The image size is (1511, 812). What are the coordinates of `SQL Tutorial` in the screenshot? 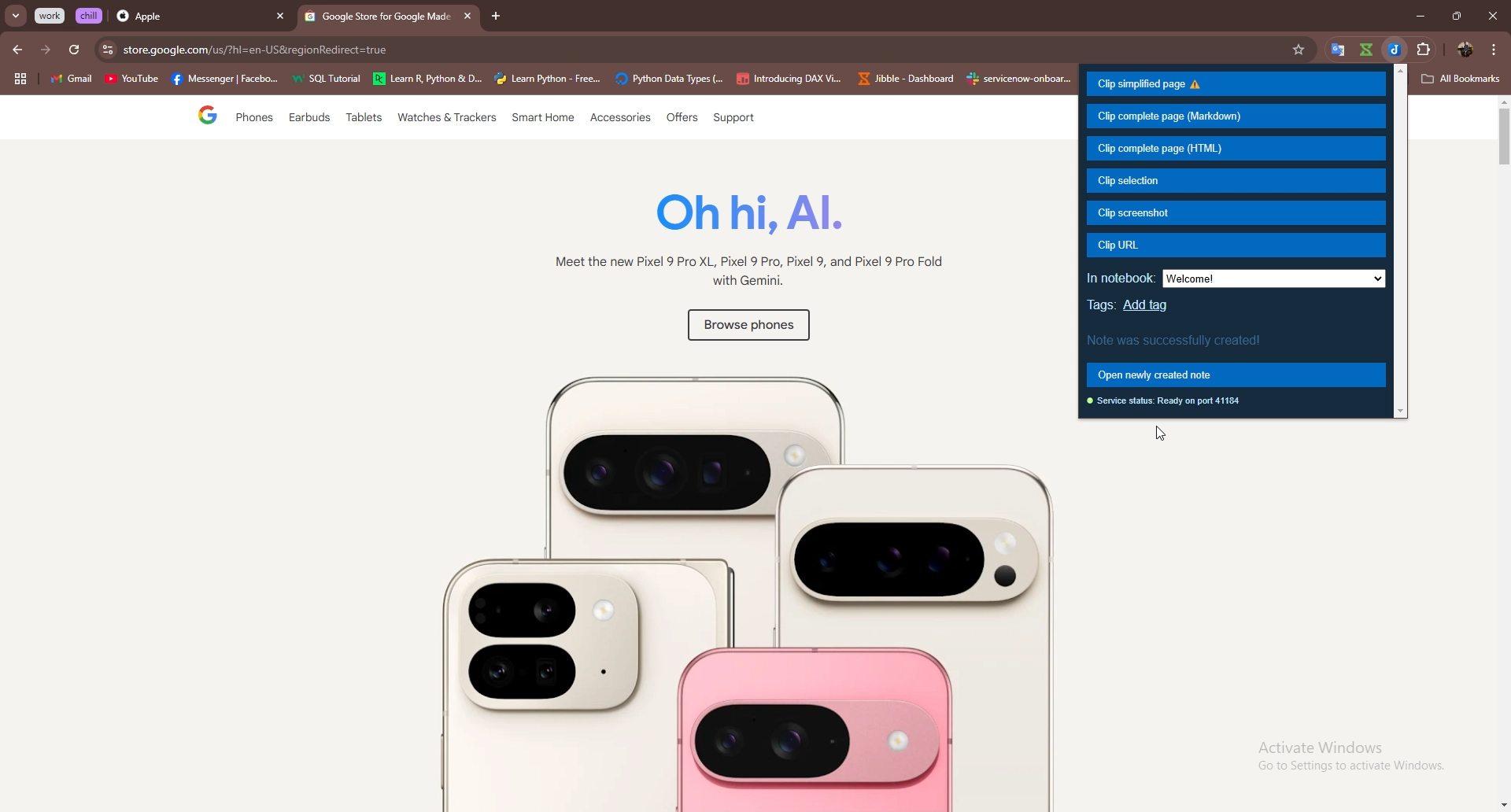 It's located at (331, 80).